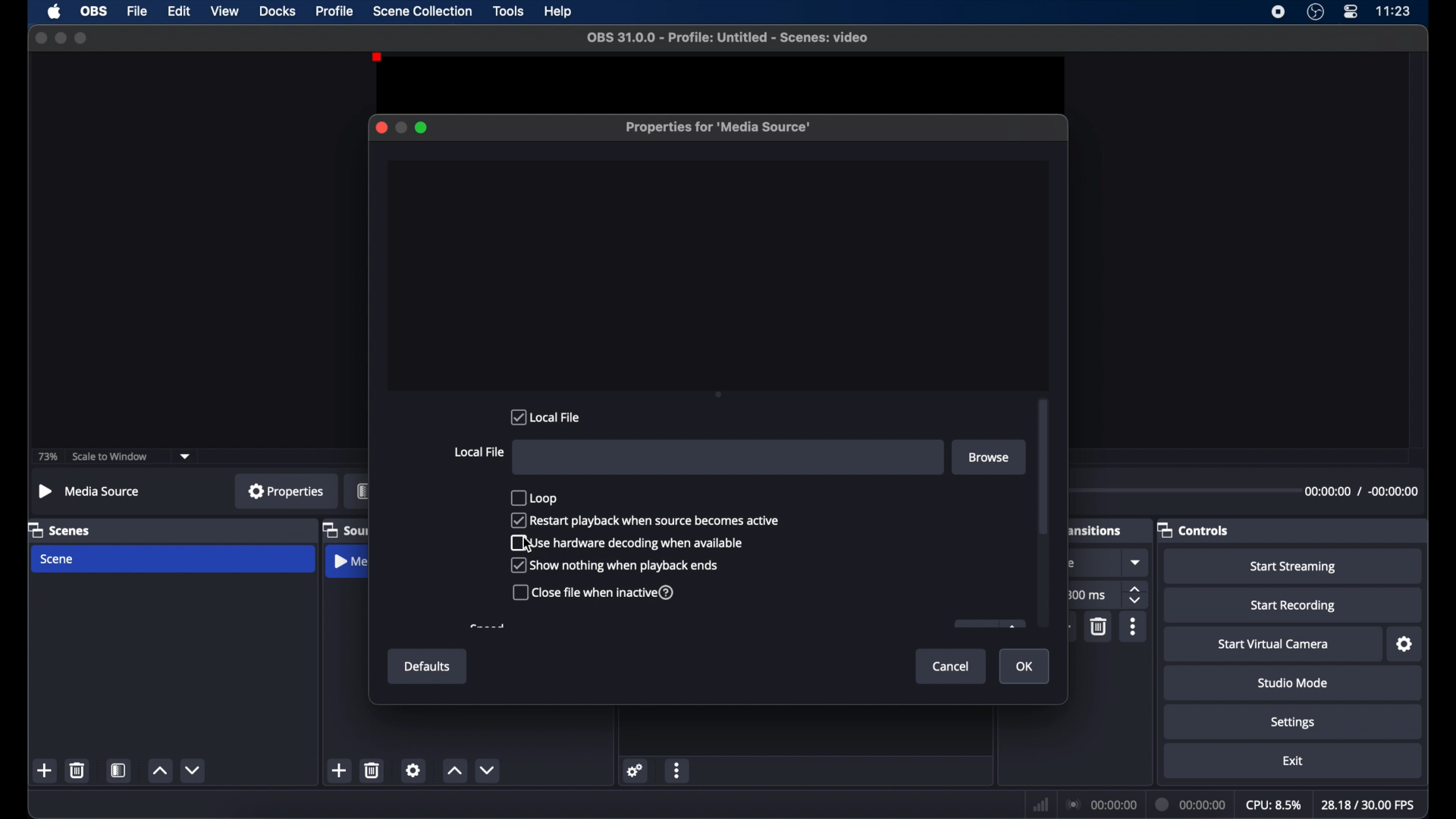 Image resolution: width=1456 pixels, height=819 pixels. Describe the element at coordinates (1394, 10) in the screenshot. I see `time` at that location.